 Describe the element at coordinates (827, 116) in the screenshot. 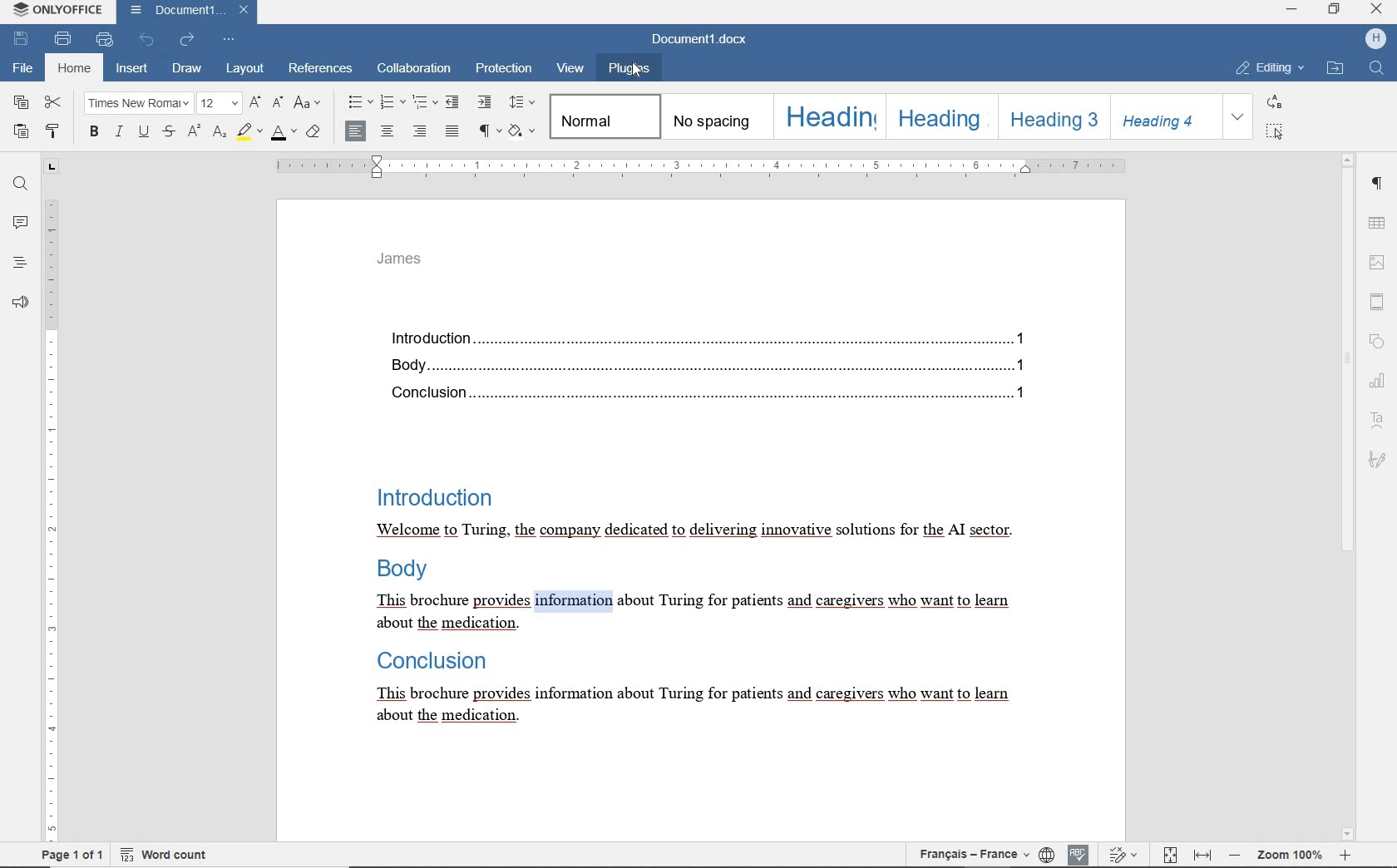

I see `HEADING 1` at that location.